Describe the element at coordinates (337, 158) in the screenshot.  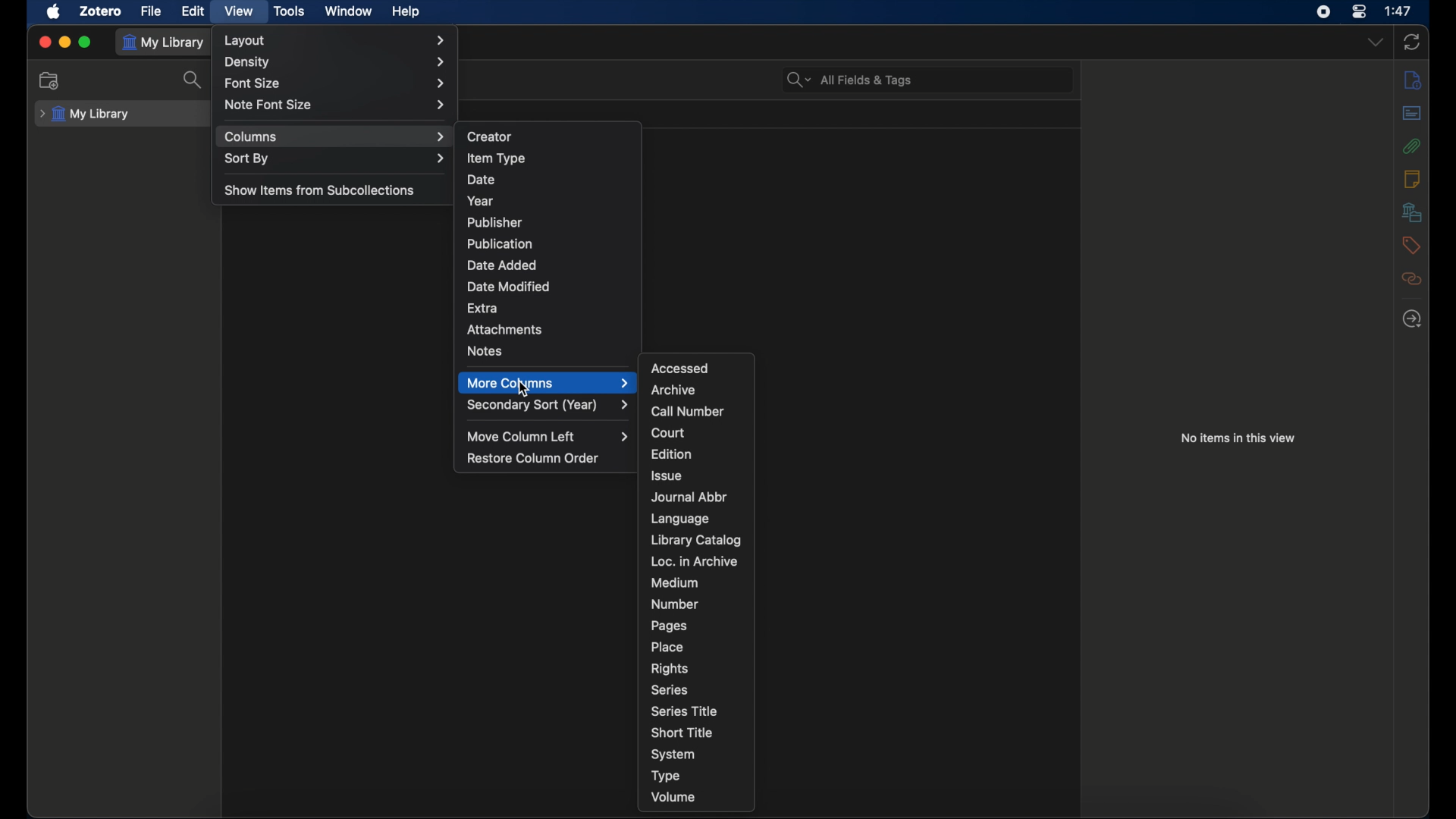
I see `sort by` at that location.